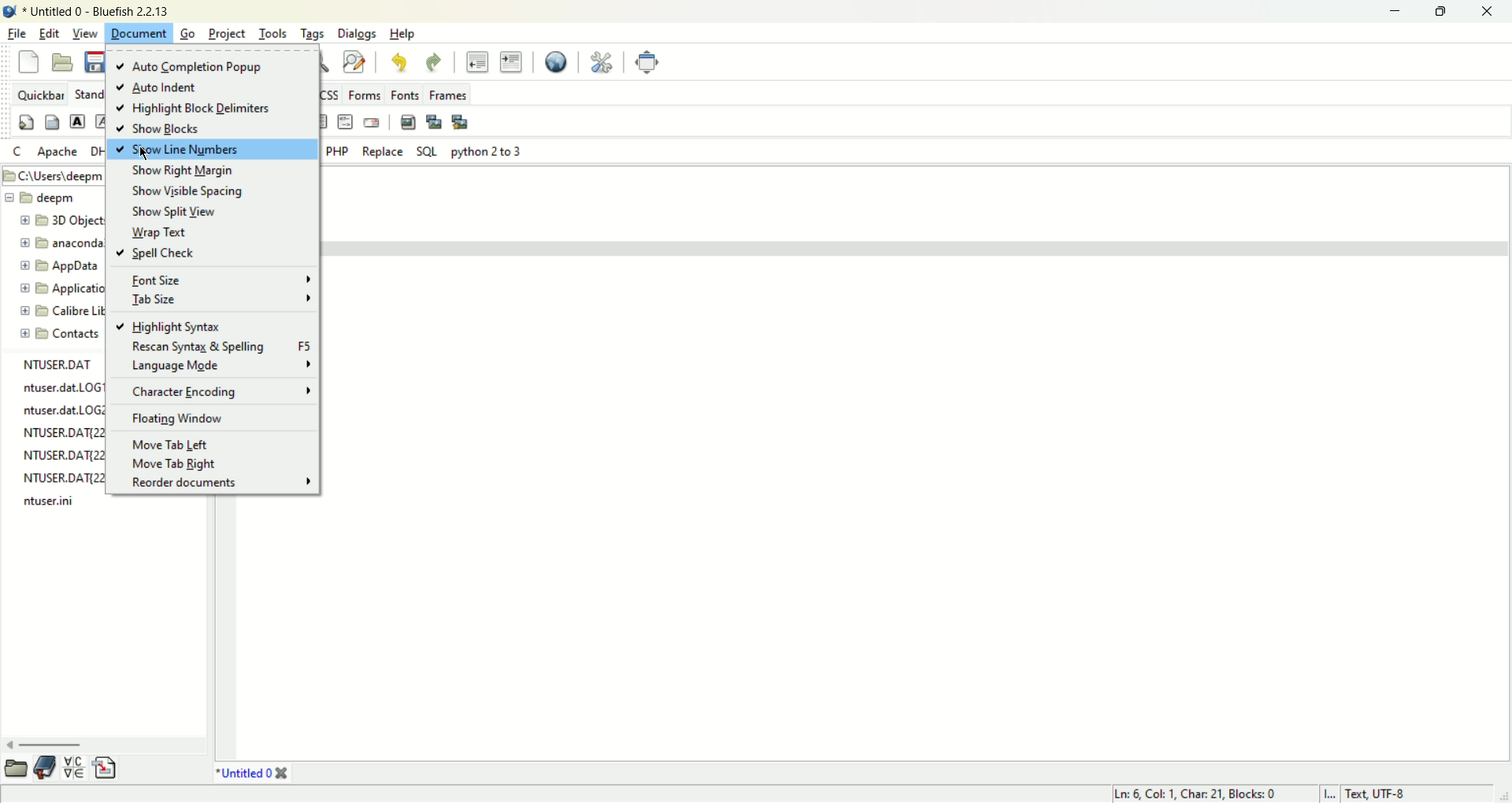 The height and width of the screenshot is (803, 1512). Describe the element at coordinates (154, 88) in the screenshot. I see `auto indent` at that location.